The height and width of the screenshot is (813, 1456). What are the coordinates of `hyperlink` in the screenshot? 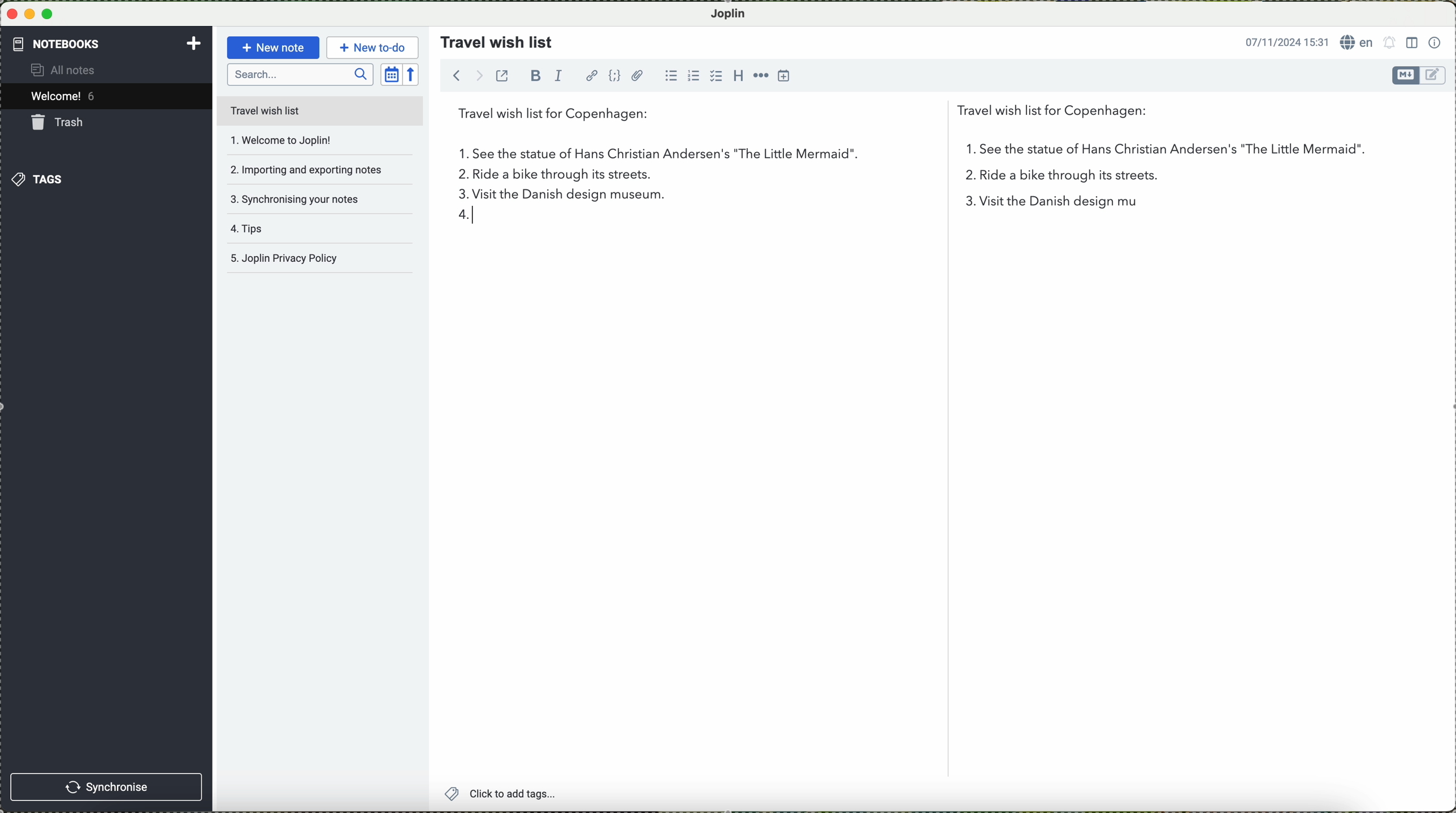 It's located at (591, 75).